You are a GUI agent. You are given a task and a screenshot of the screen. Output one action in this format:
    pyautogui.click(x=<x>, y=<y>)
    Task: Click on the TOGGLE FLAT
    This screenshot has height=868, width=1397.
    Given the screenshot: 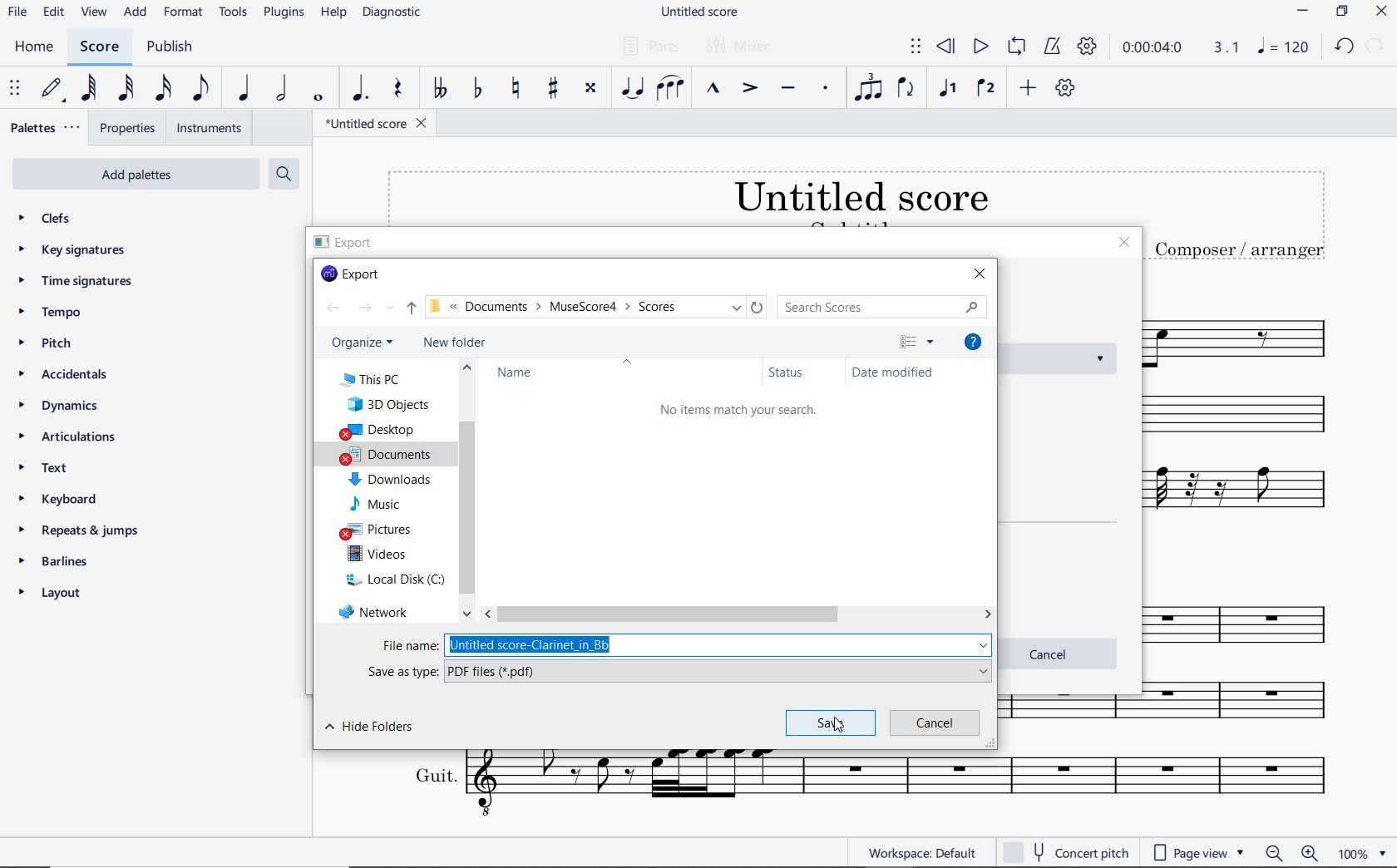 What is the action you would take?
    pyautogui.click(x=476, y=89)
    